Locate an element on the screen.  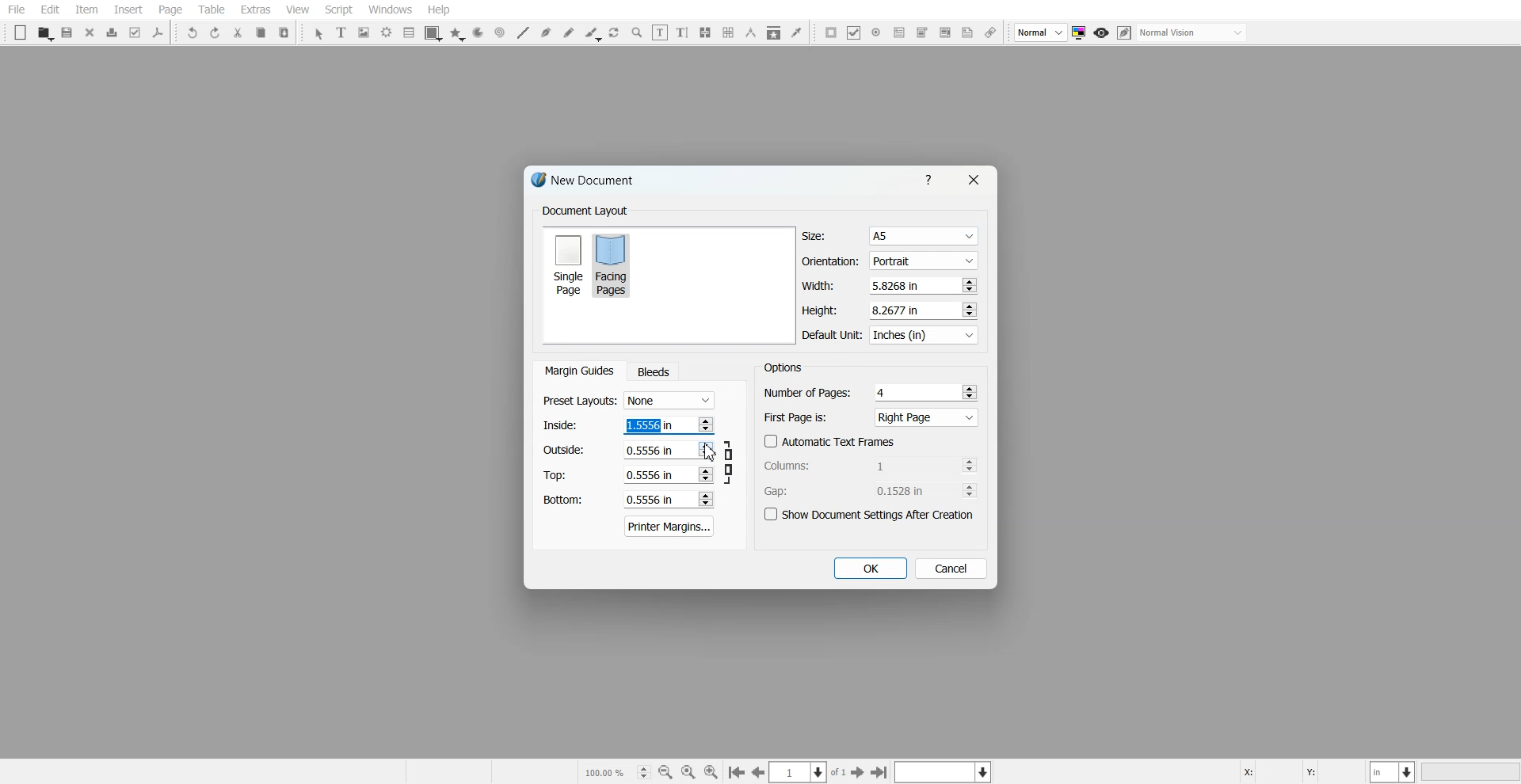
Edit is located at coordinates (49, 10).